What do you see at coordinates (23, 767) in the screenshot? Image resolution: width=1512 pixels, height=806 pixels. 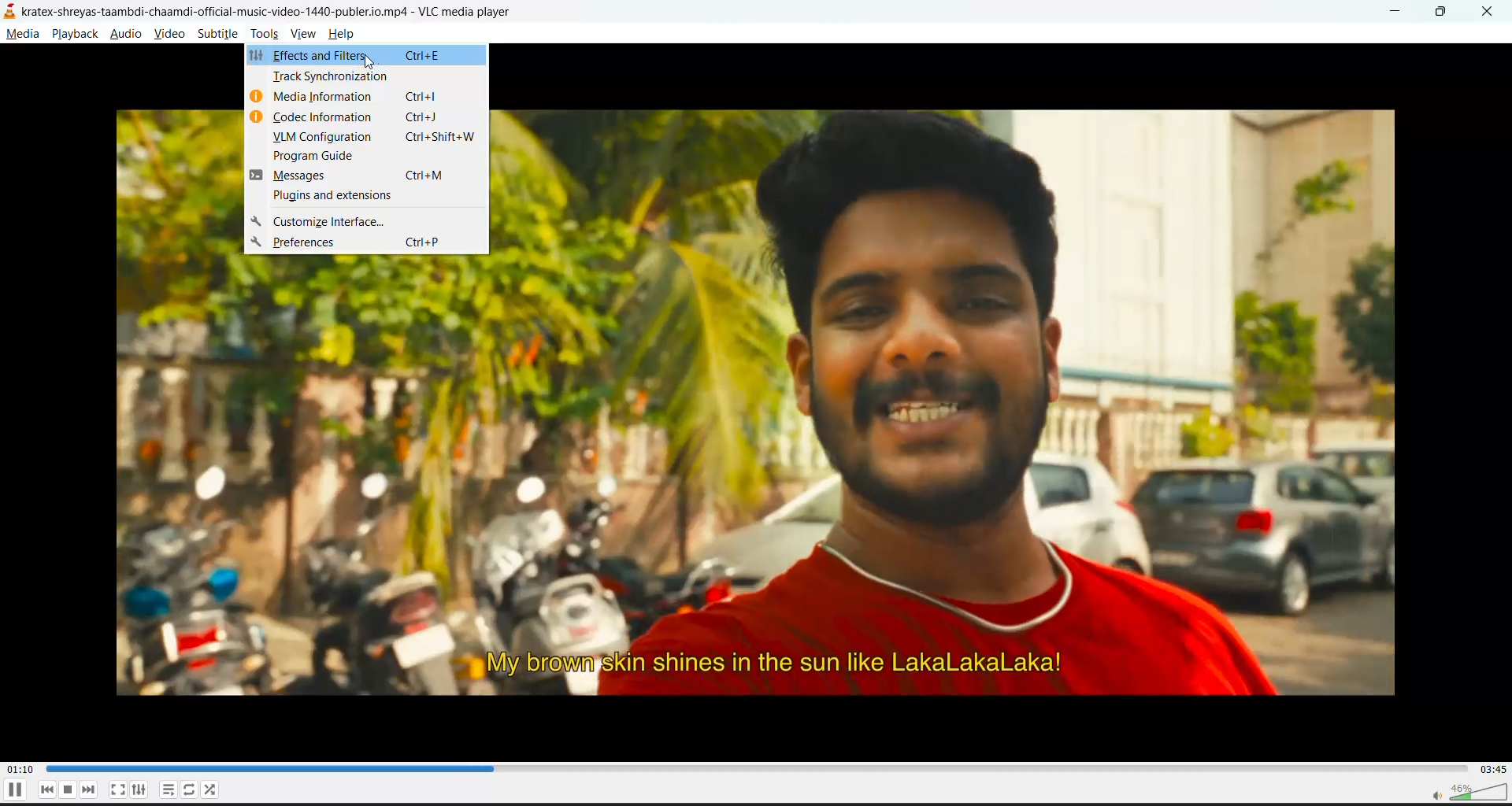 I see `current track time` at bounding box center [23, 767].